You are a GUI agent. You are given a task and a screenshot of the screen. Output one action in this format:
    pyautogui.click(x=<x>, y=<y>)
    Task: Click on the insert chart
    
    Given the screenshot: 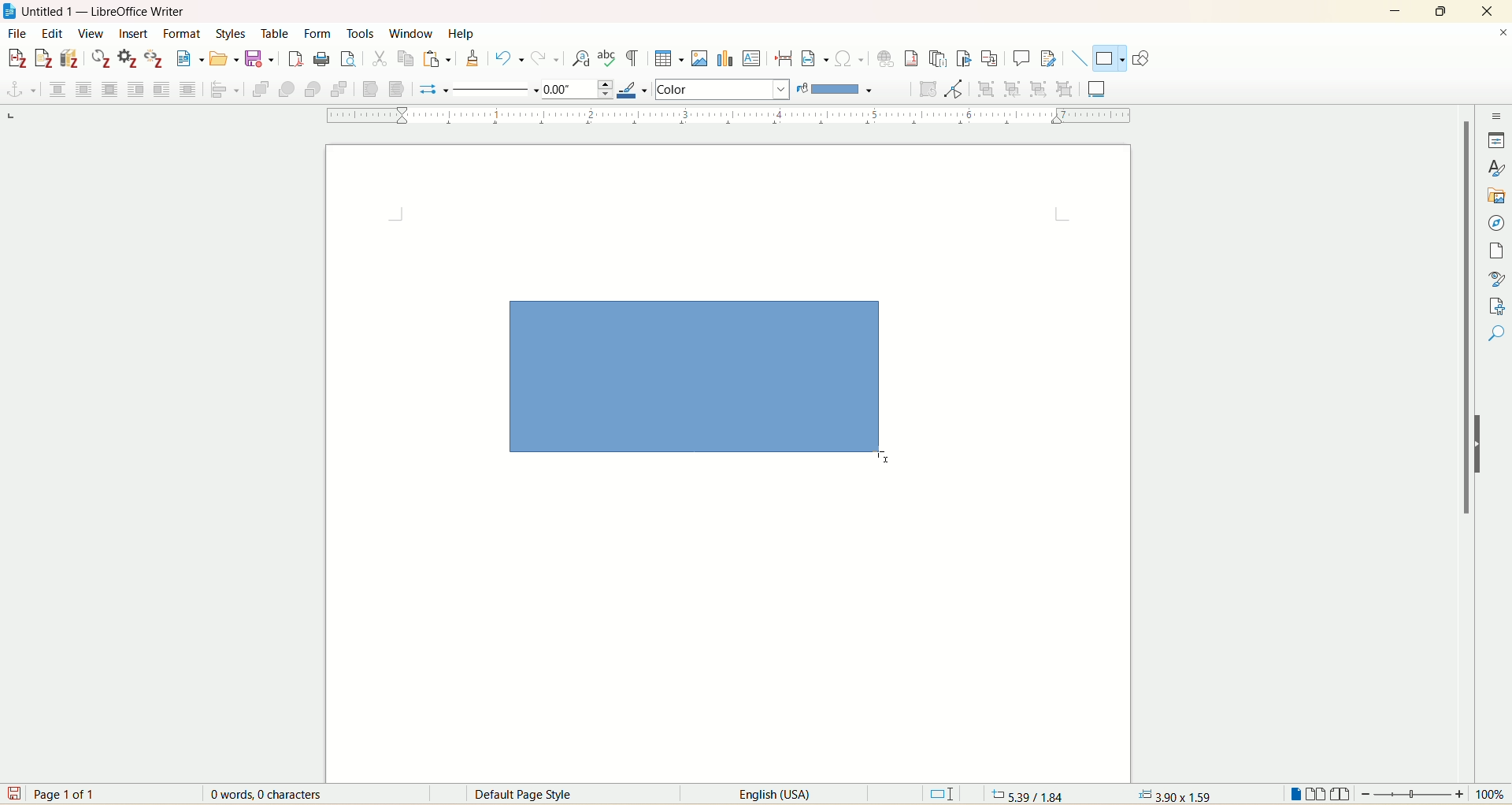 What is the action you would take?
    pyautogui.click(x=724, y=57)
    